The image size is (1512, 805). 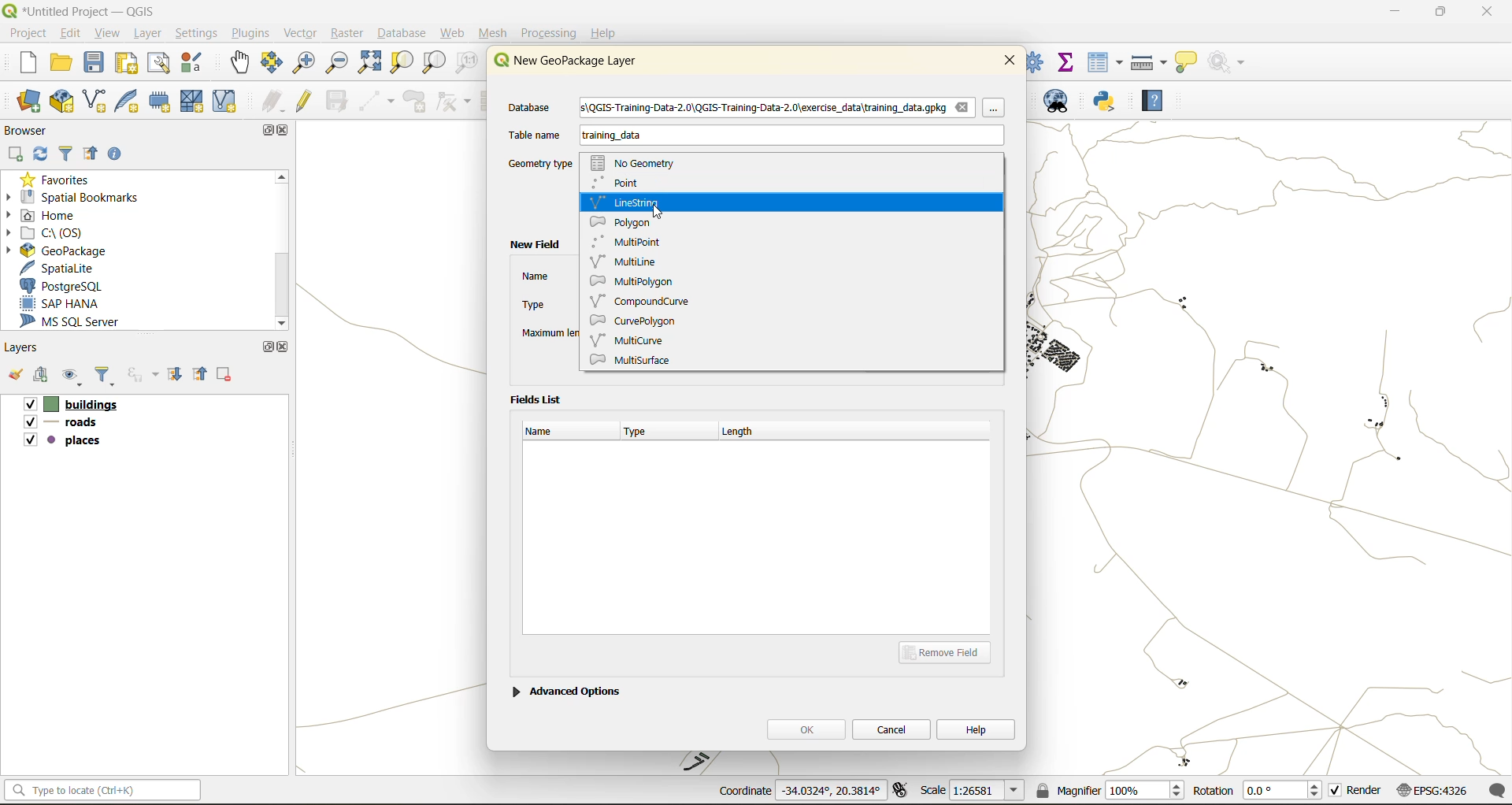 I want to click on zoom selection, so click(x=404, y=62).